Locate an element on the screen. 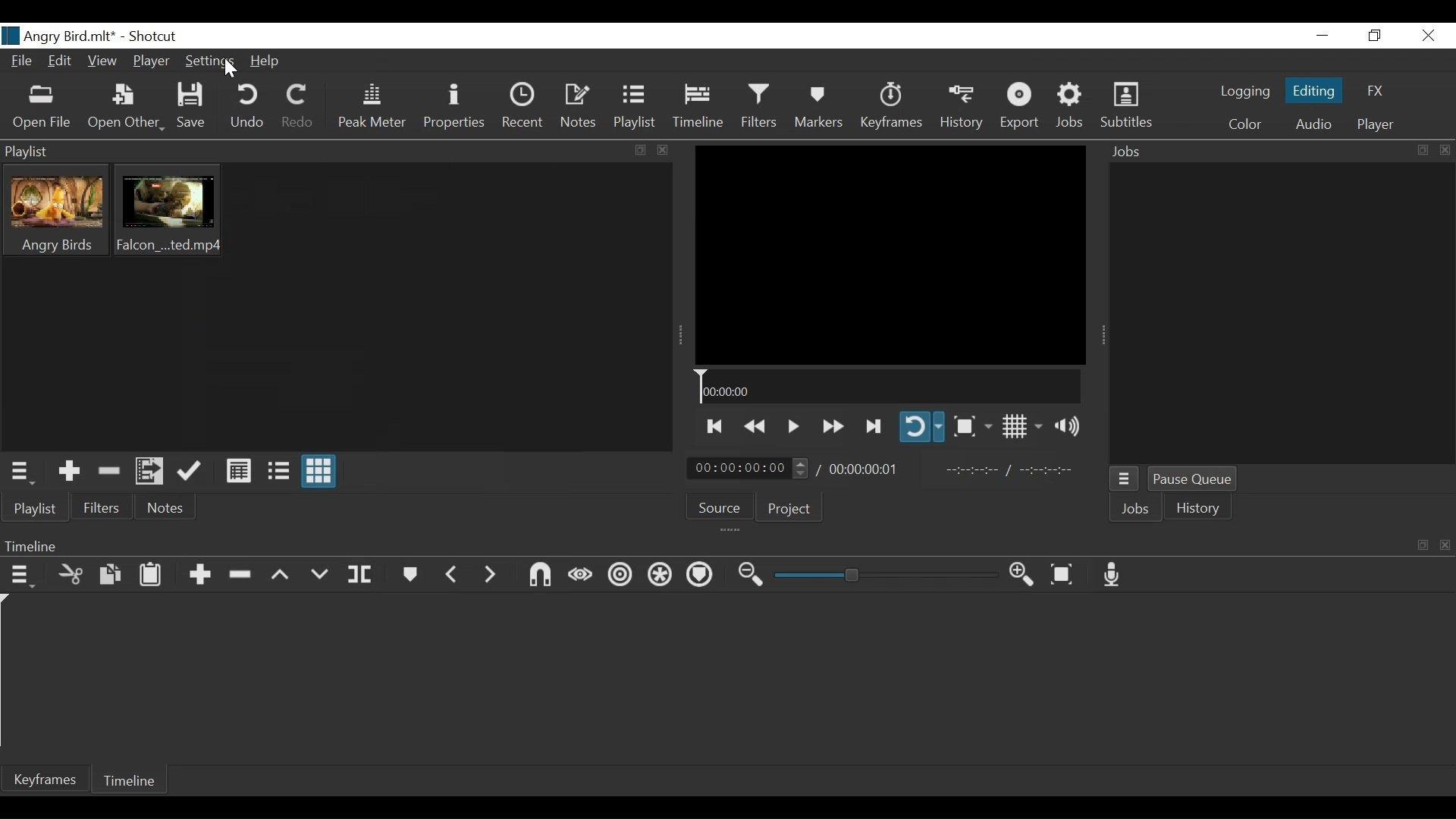  Marker is located at coordinates (409, 577).